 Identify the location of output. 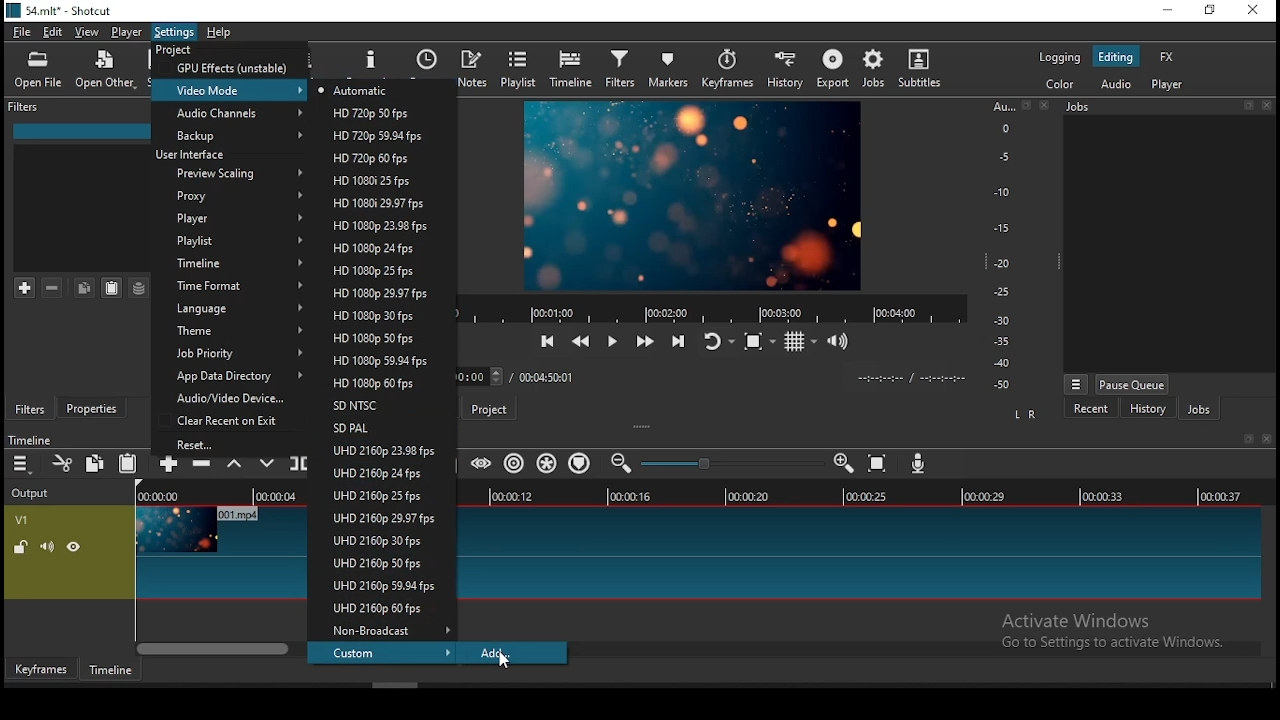
(33, 494).